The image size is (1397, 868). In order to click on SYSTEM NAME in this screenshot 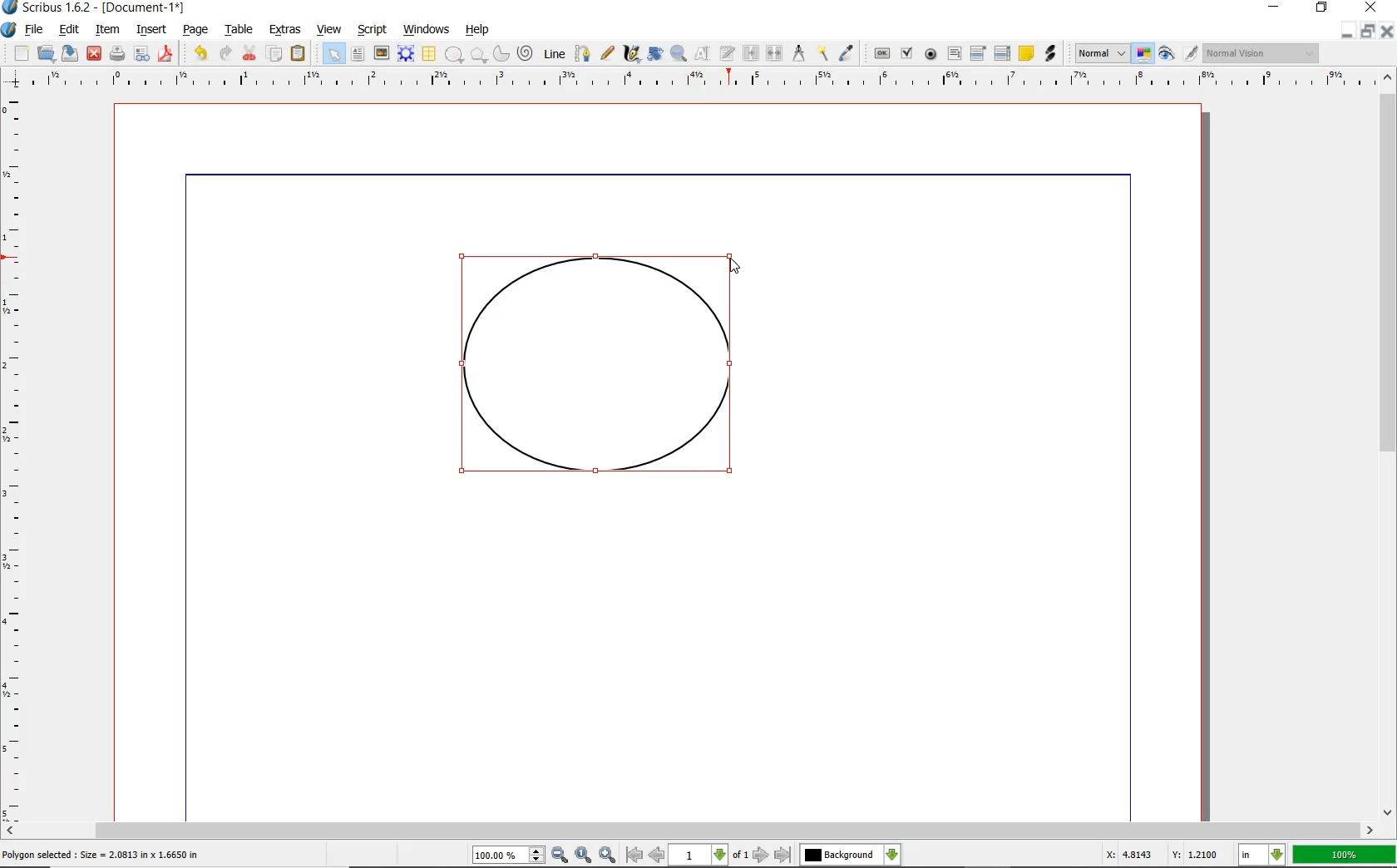, I will do `click(95, 7)`.